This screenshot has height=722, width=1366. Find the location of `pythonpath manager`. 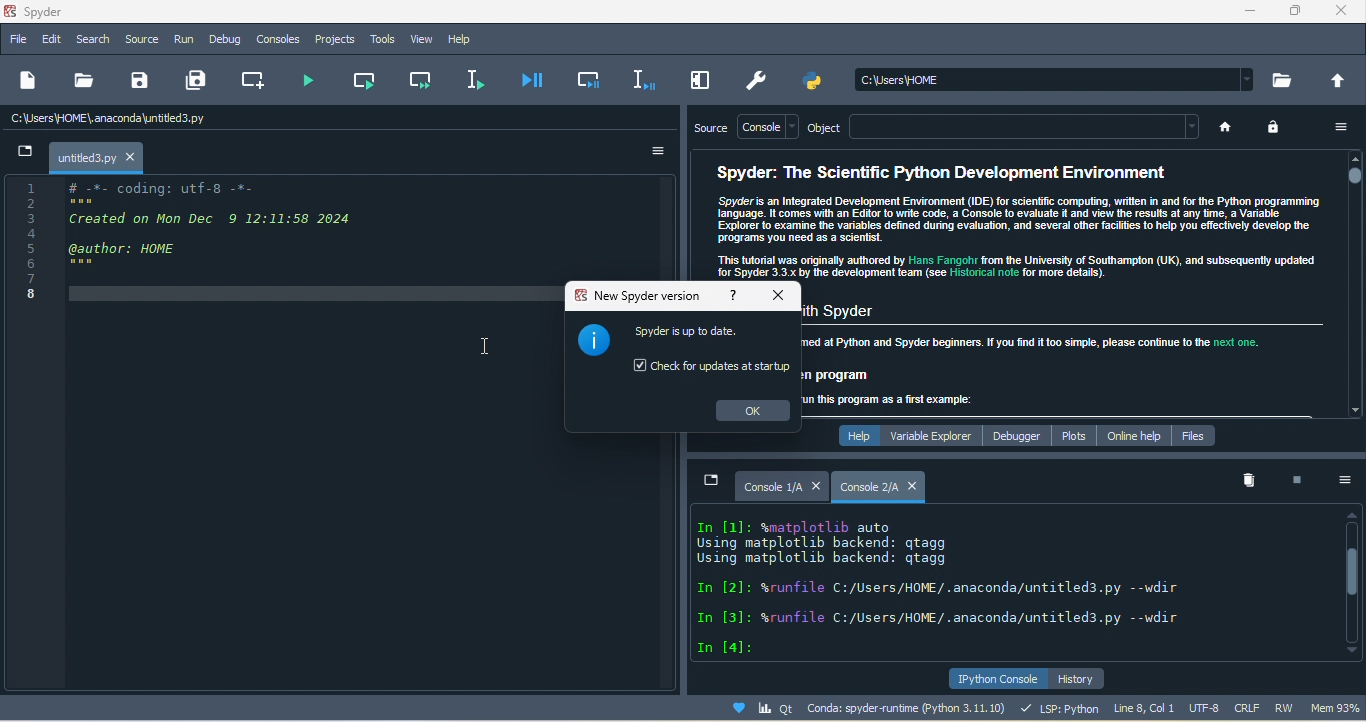

pythonpath manager is located at coordinates (816, 83).